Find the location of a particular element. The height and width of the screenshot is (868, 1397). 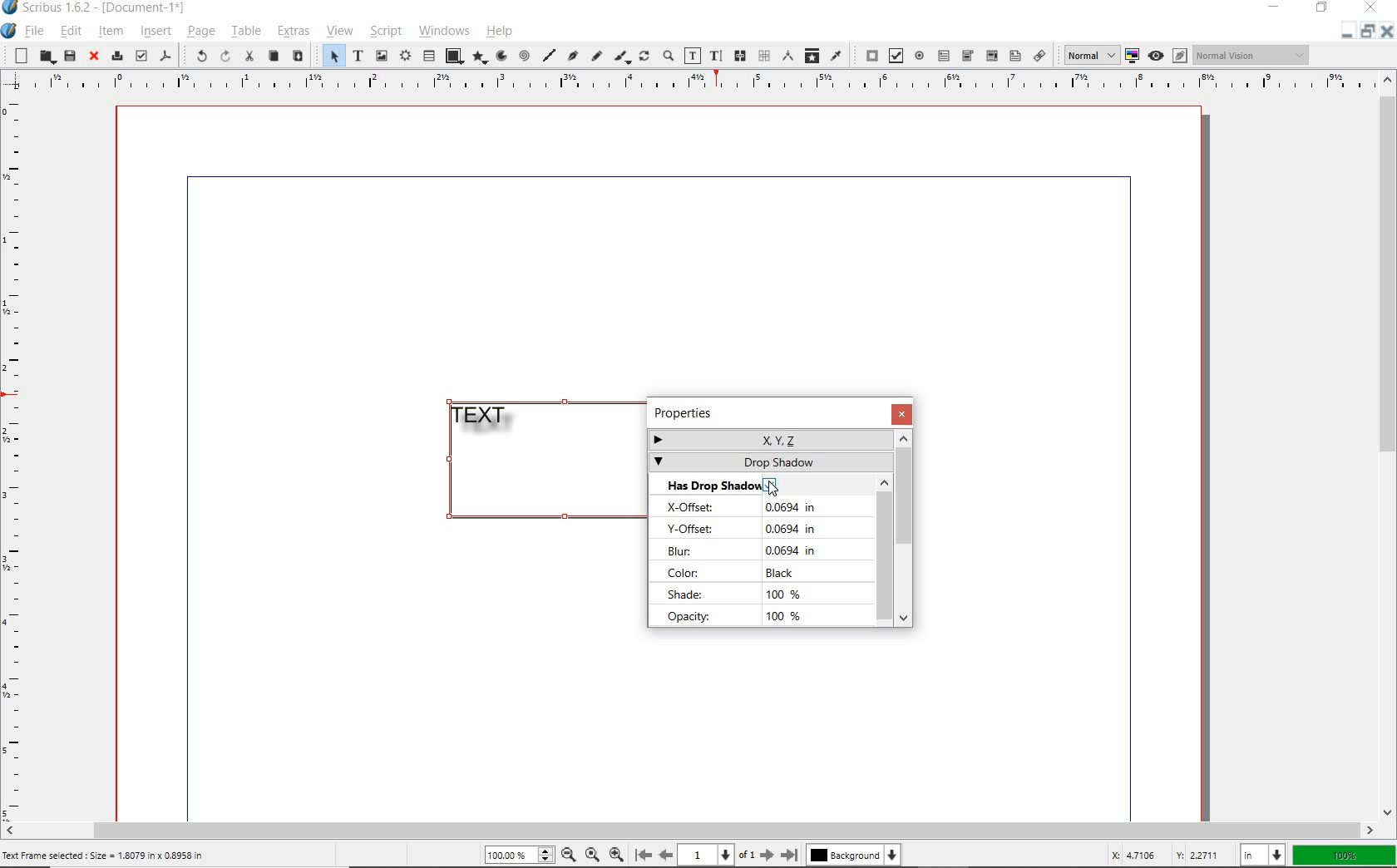

edit is located at coordinates (69, 32).